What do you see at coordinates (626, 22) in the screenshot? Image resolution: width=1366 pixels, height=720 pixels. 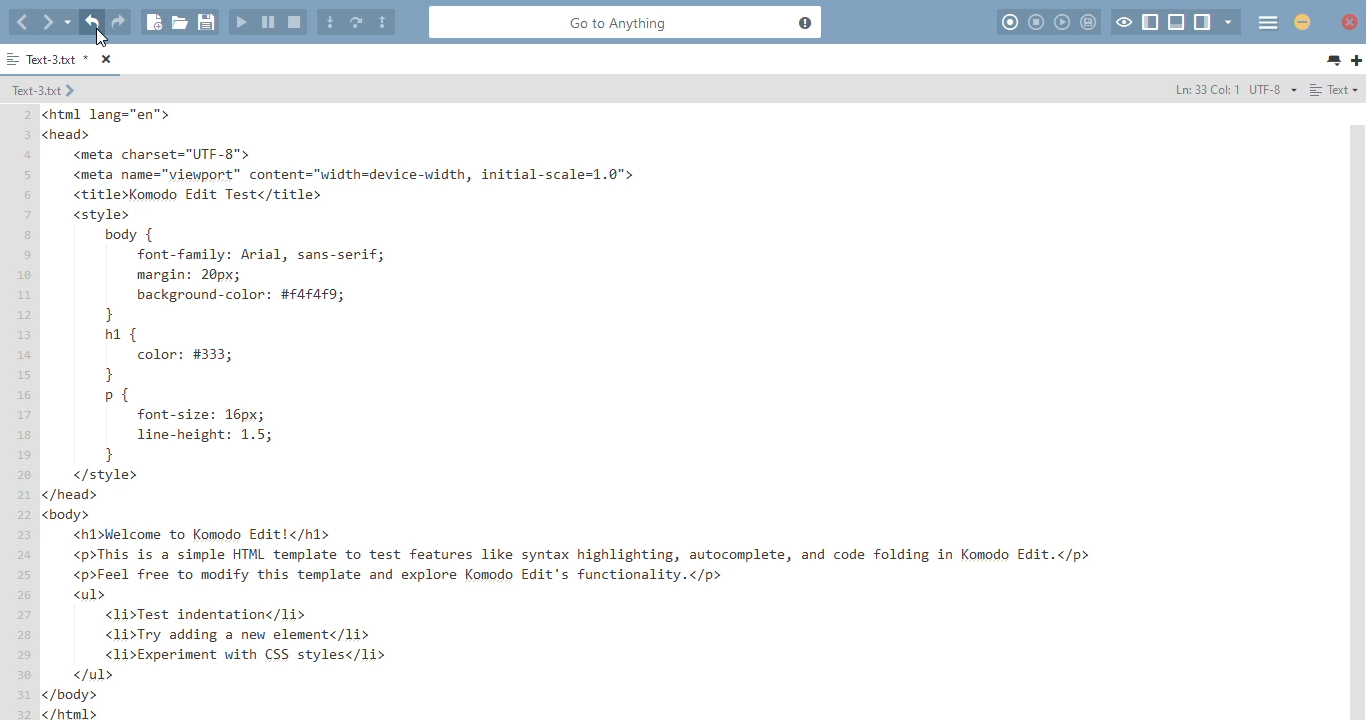 I see `go to anything` at bounding box center [626, 22].